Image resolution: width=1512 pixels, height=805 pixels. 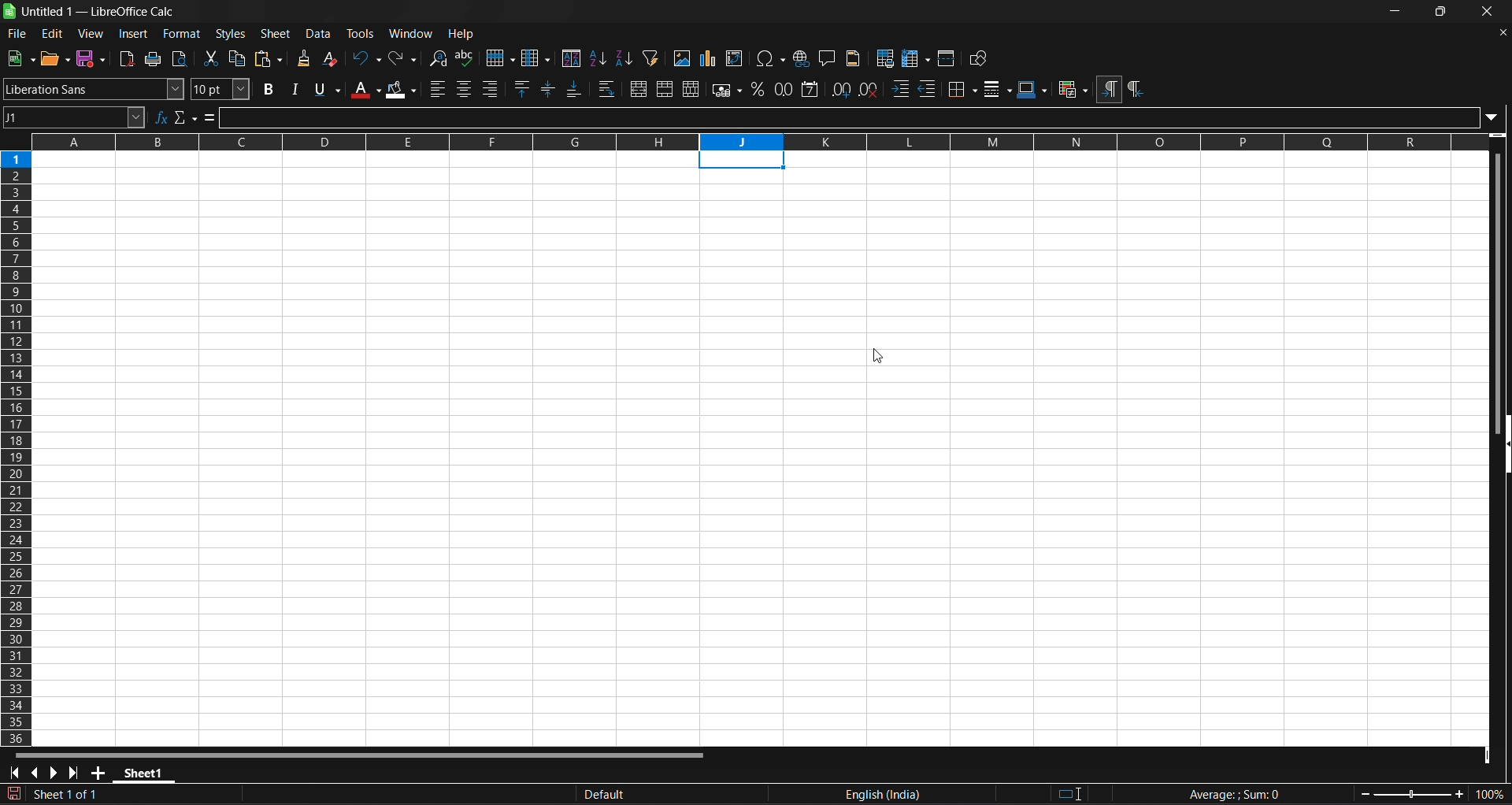 What do you see at coordinates (962, 87) in the screenshot?
I see `borders` at bounding box center [962, 87].